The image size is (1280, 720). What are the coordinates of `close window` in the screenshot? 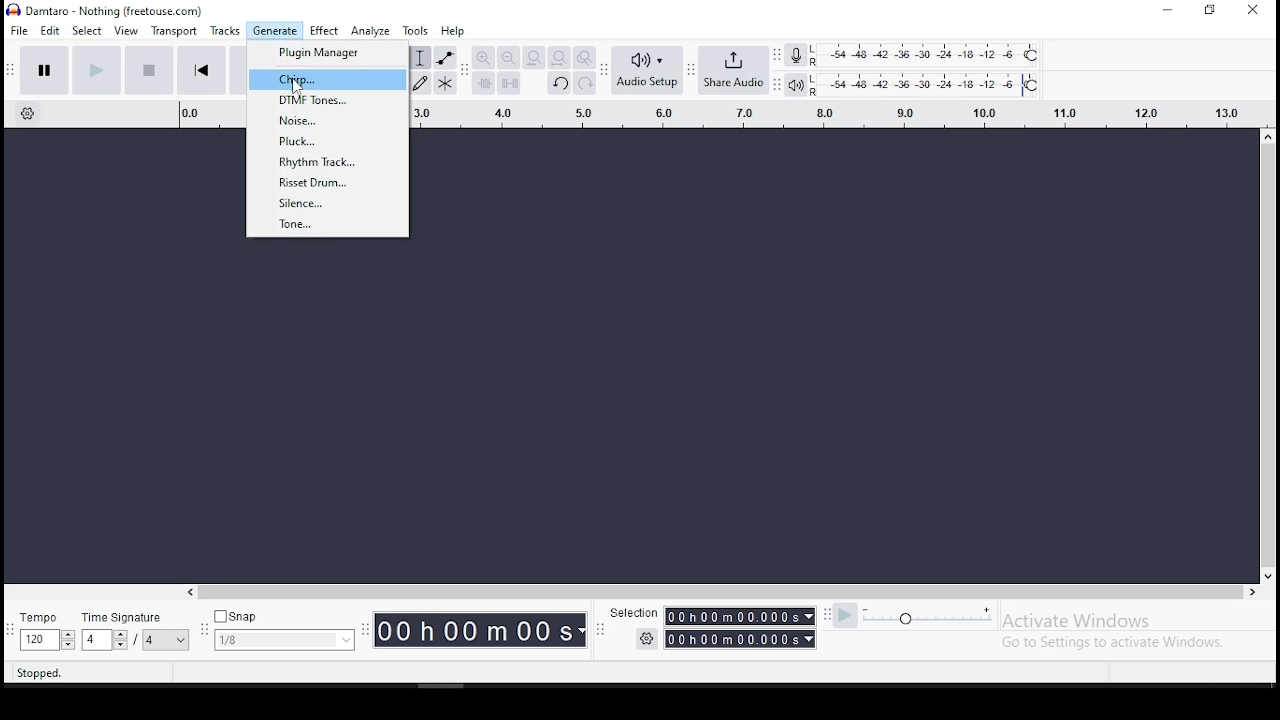 It's located at (1253, 9).